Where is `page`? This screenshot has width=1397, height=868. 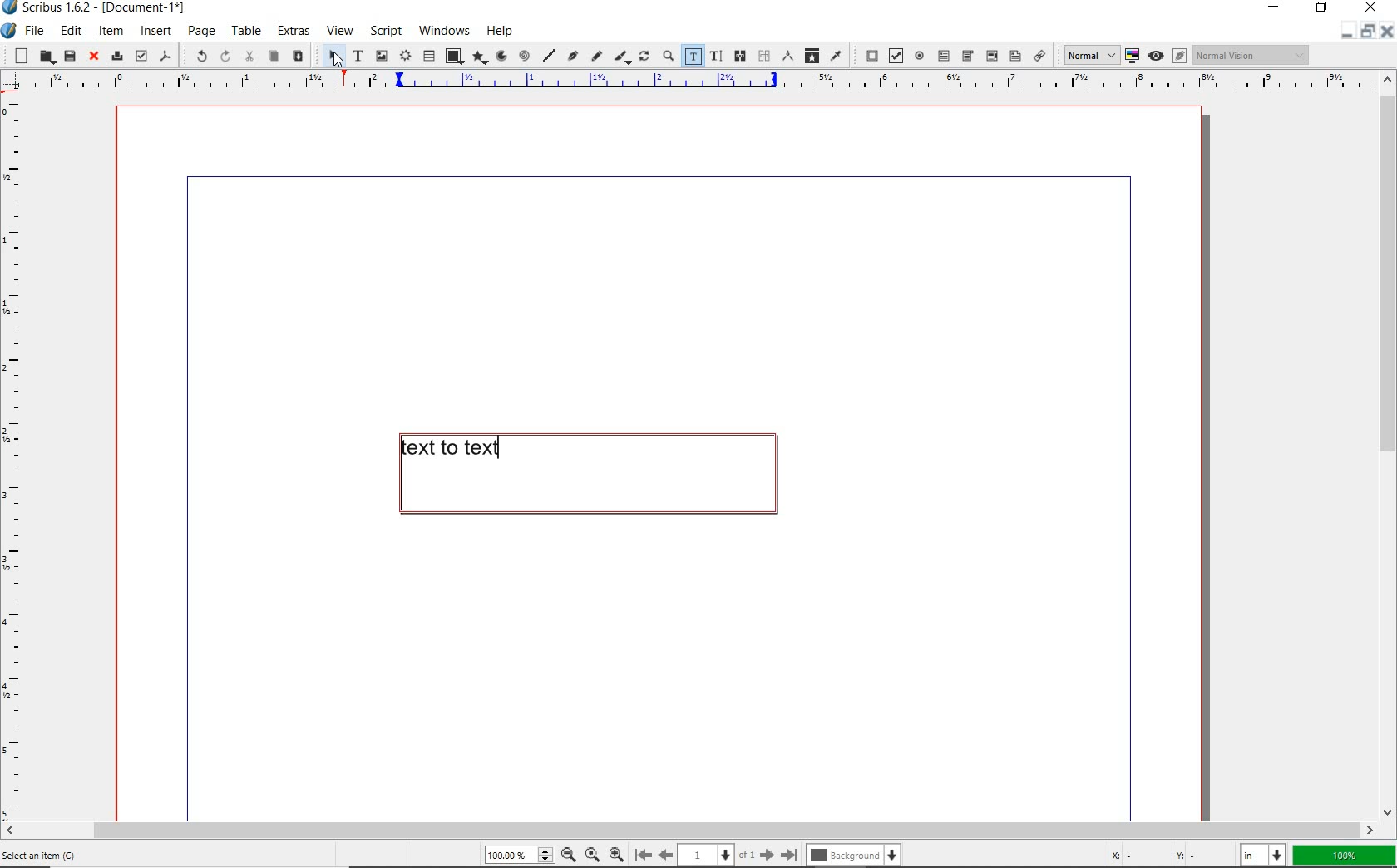
page is located at coordinates (200, 32).